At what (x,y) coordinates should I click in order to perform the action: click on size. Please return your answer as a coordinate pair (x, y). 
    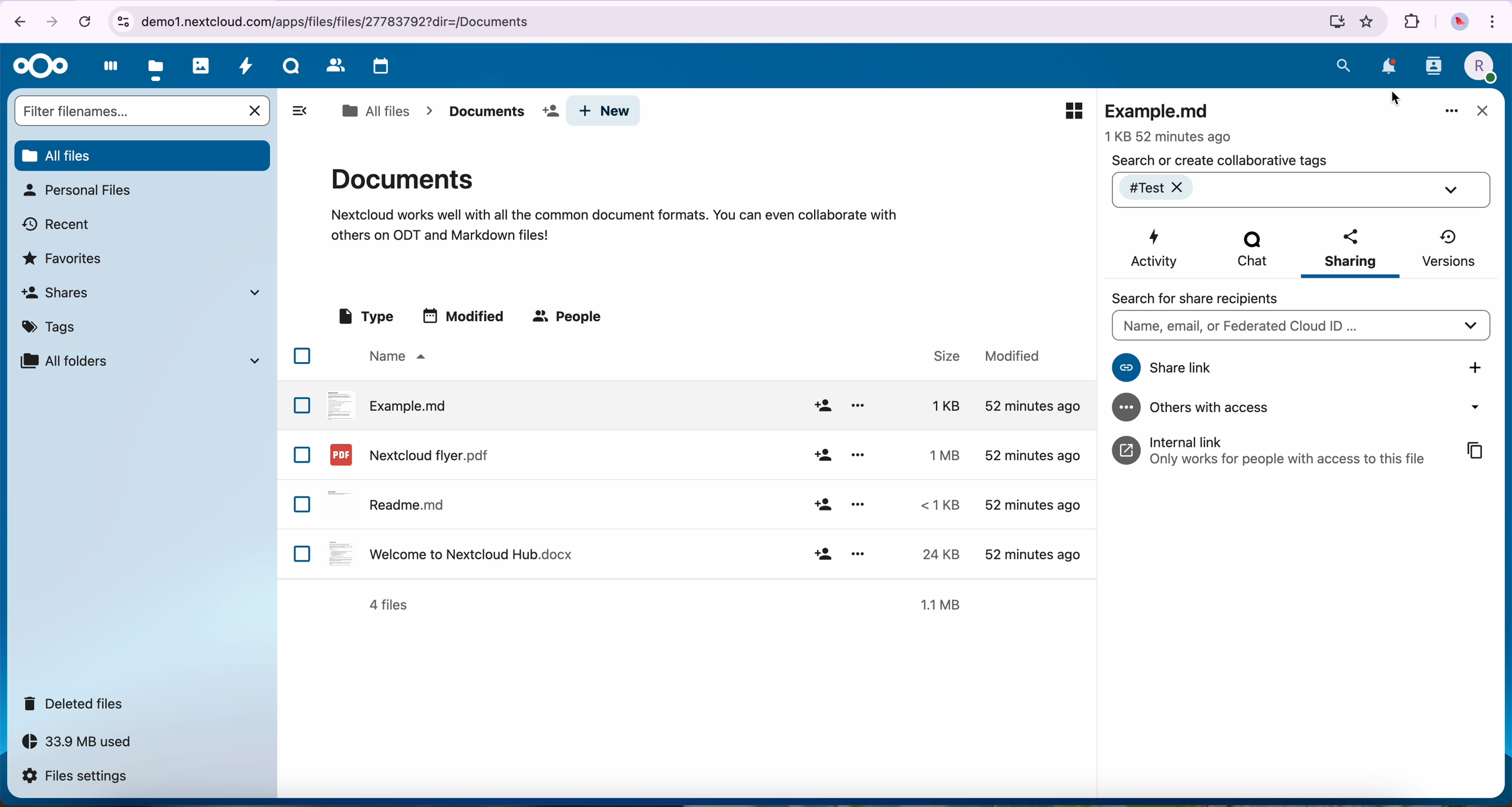
    Looking at the image, I should click on (935, 405).